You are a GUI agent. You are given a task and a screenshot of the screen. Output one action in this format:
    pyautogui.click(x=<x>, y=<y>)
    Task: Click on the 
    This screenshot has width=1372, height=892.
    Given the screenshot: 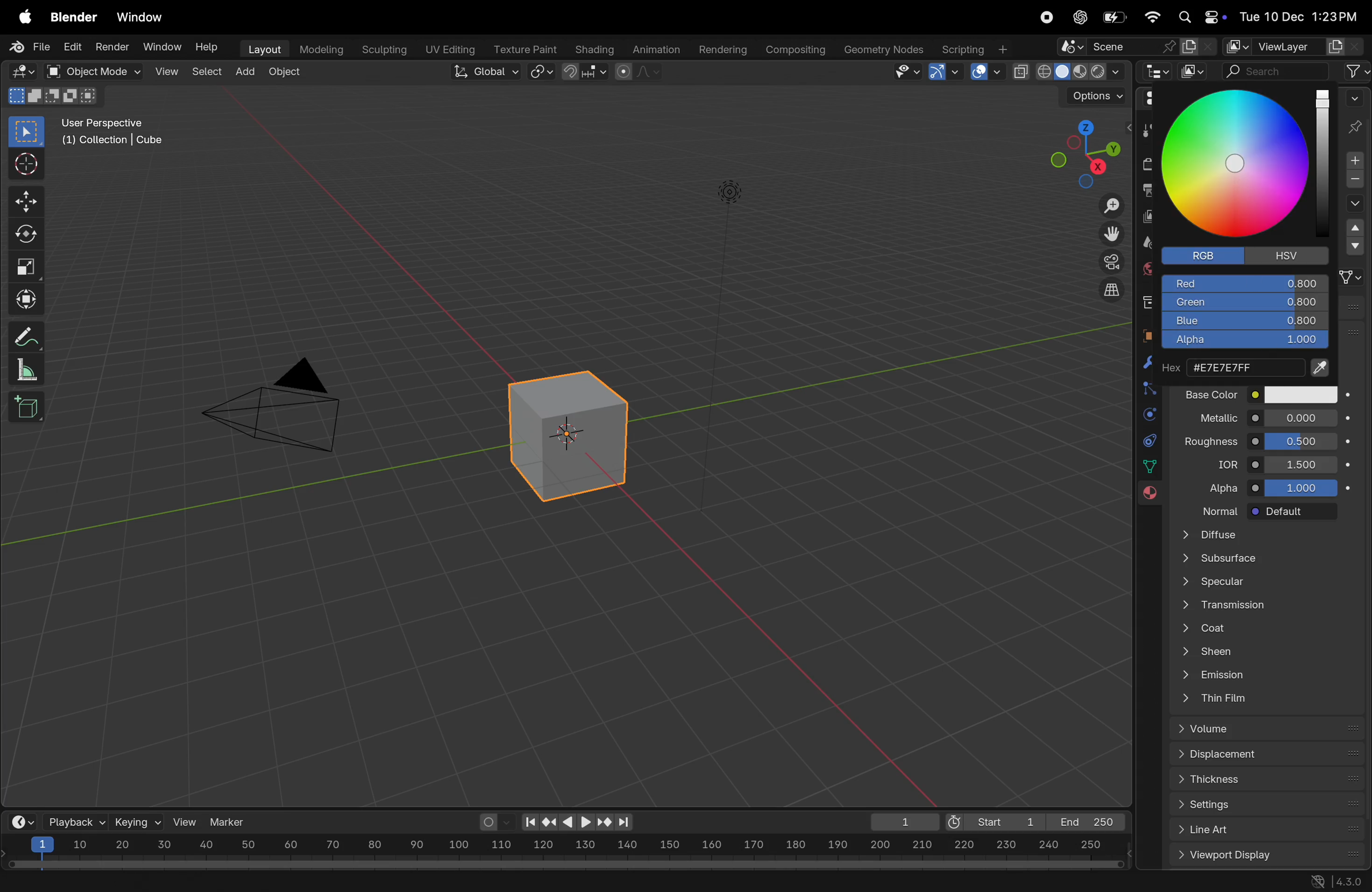 What is the action you would take?
    pyautogui.click(x=1151, y=467)
    